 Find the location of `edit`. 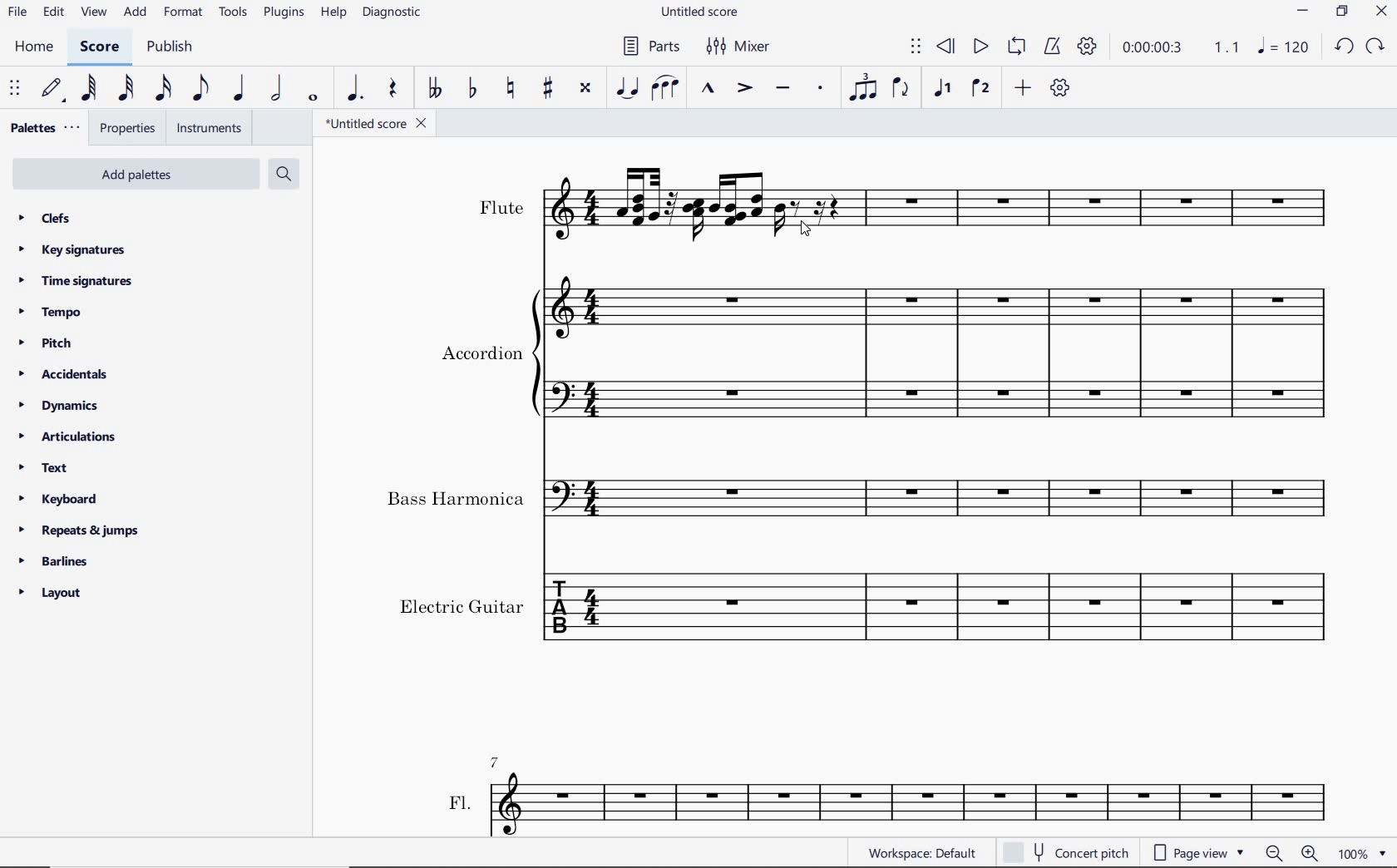

edit is located at coordinates (52, 14).